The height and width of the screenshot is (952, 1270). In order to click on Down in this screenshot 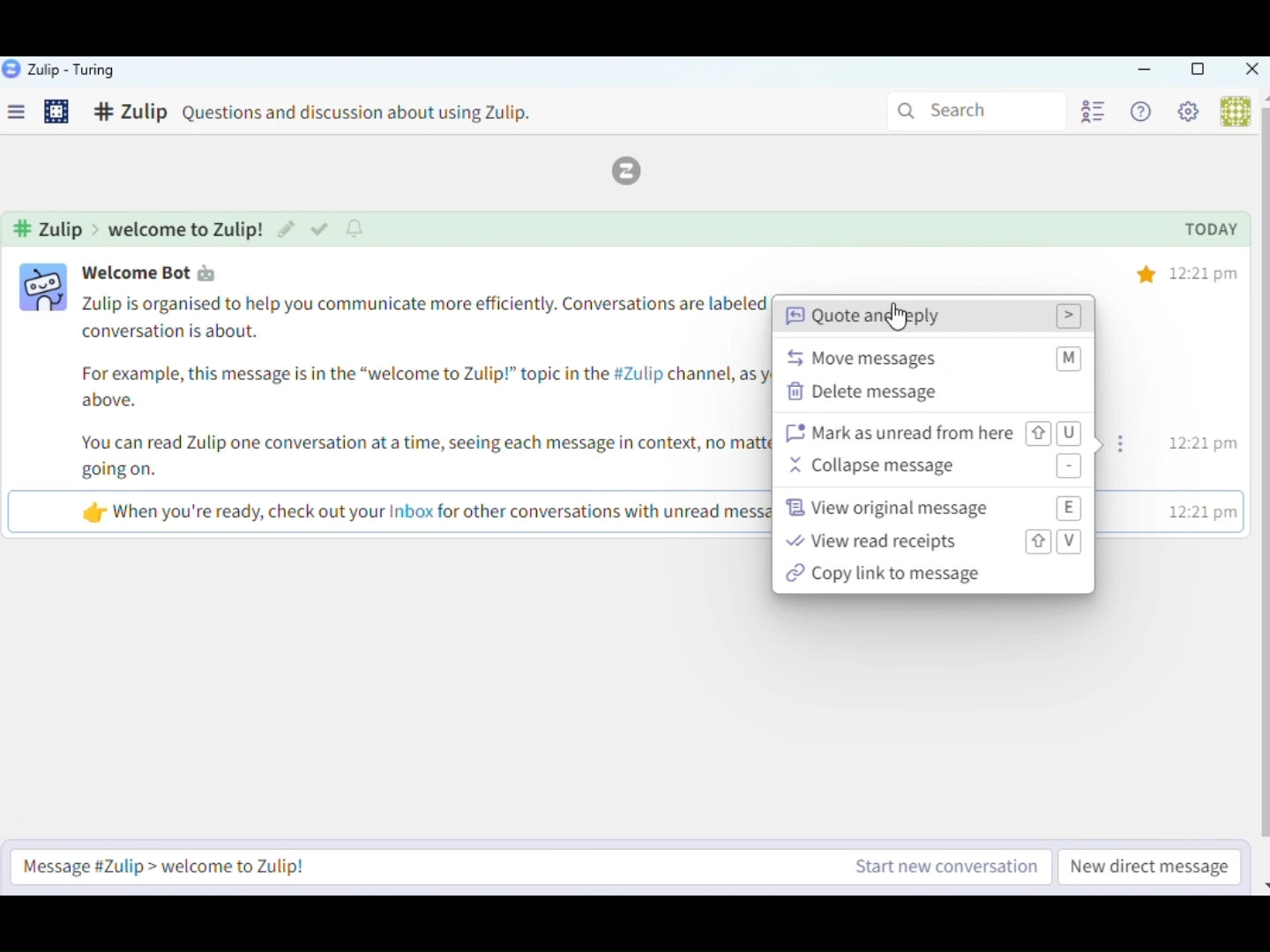, I will do `click(1262, 879)`.